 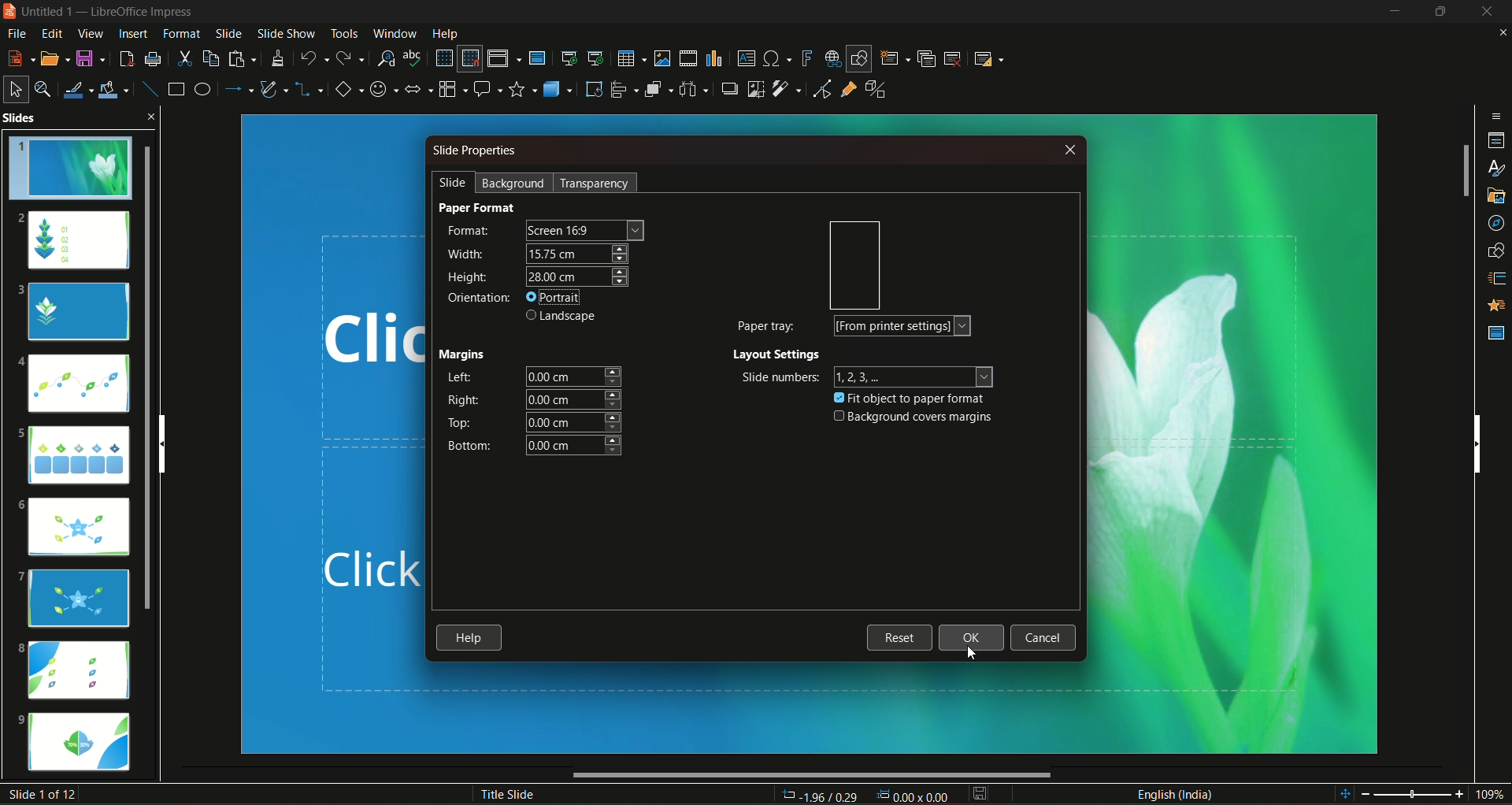 What do you see at coordinates (45, 88) in the screenshot?
I see `zoom and pan` at bounding box center [45, 88].